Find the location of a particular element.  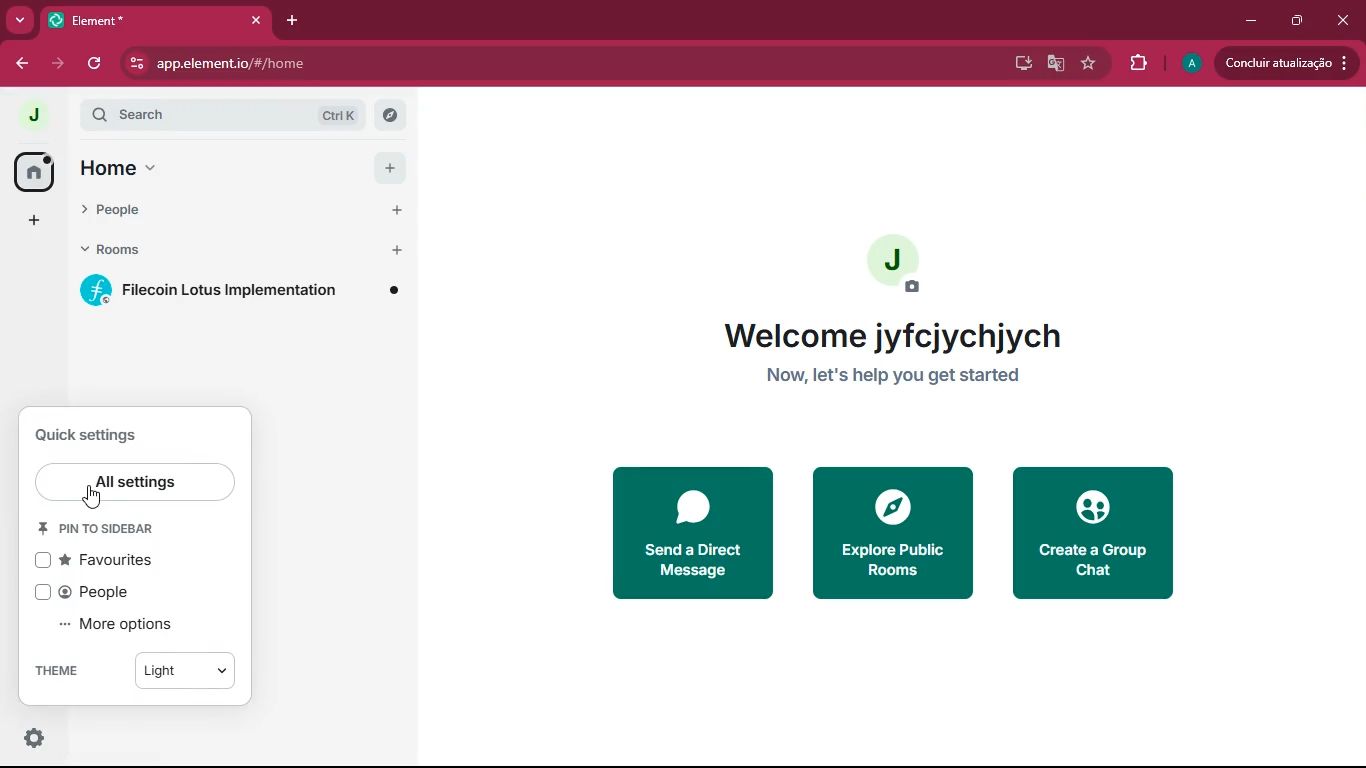

more is located at coordinates (36, 220).